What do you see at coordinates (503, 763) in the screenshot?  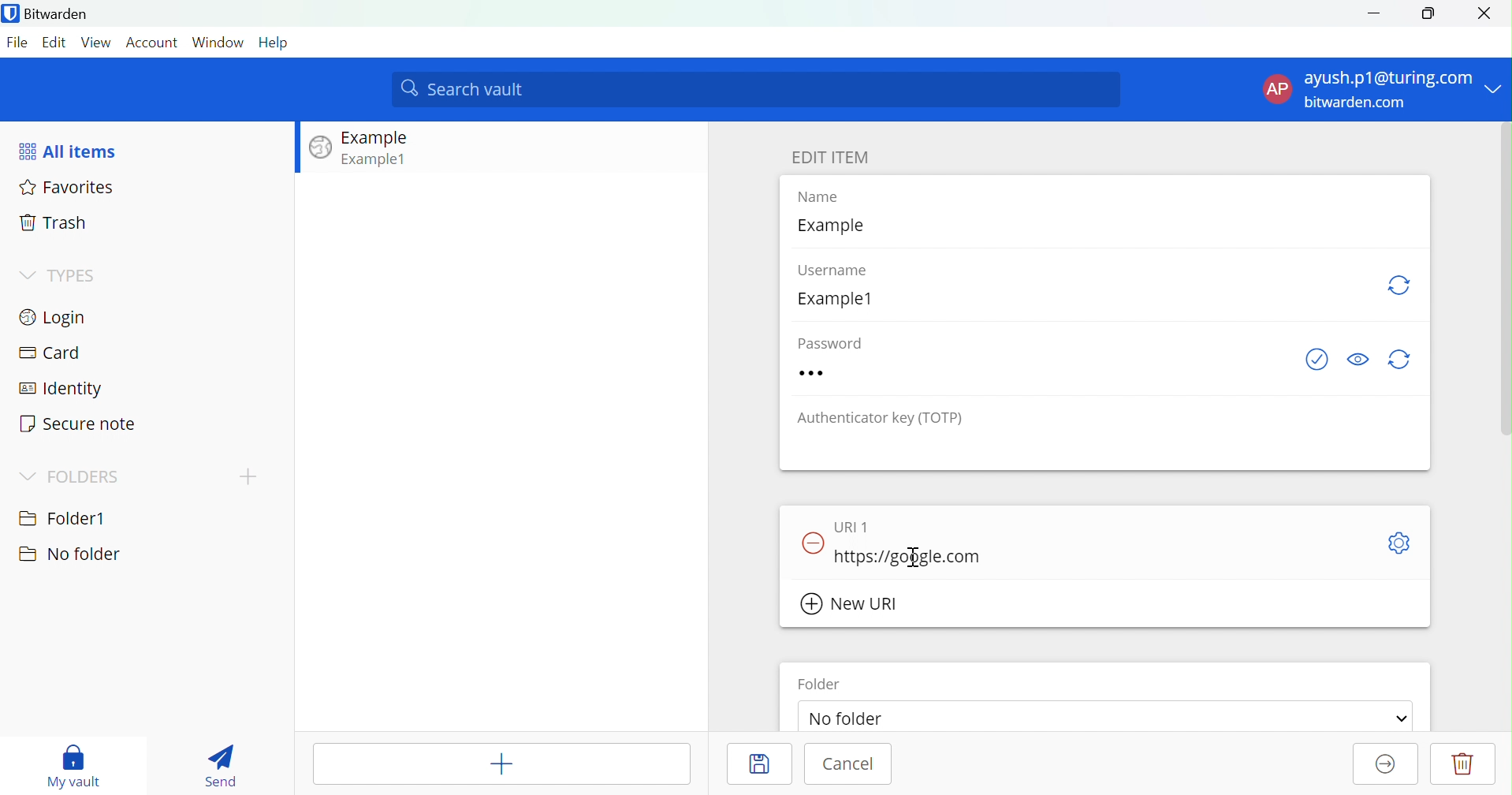 I see `Add Item` at bounding box center [503, 763].